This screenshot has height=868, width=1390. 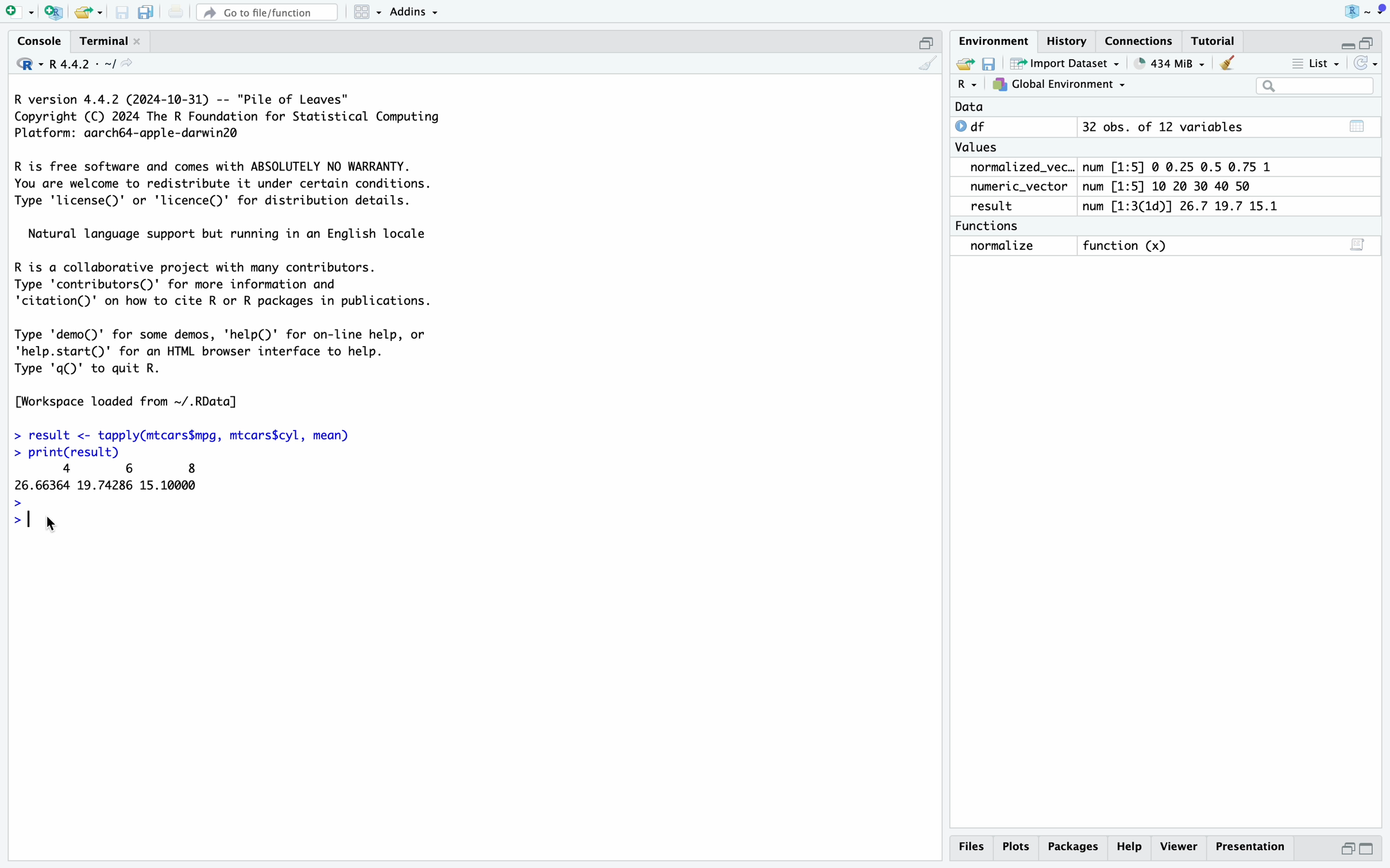 I want to click on Functions, so click(x=986, y=226).